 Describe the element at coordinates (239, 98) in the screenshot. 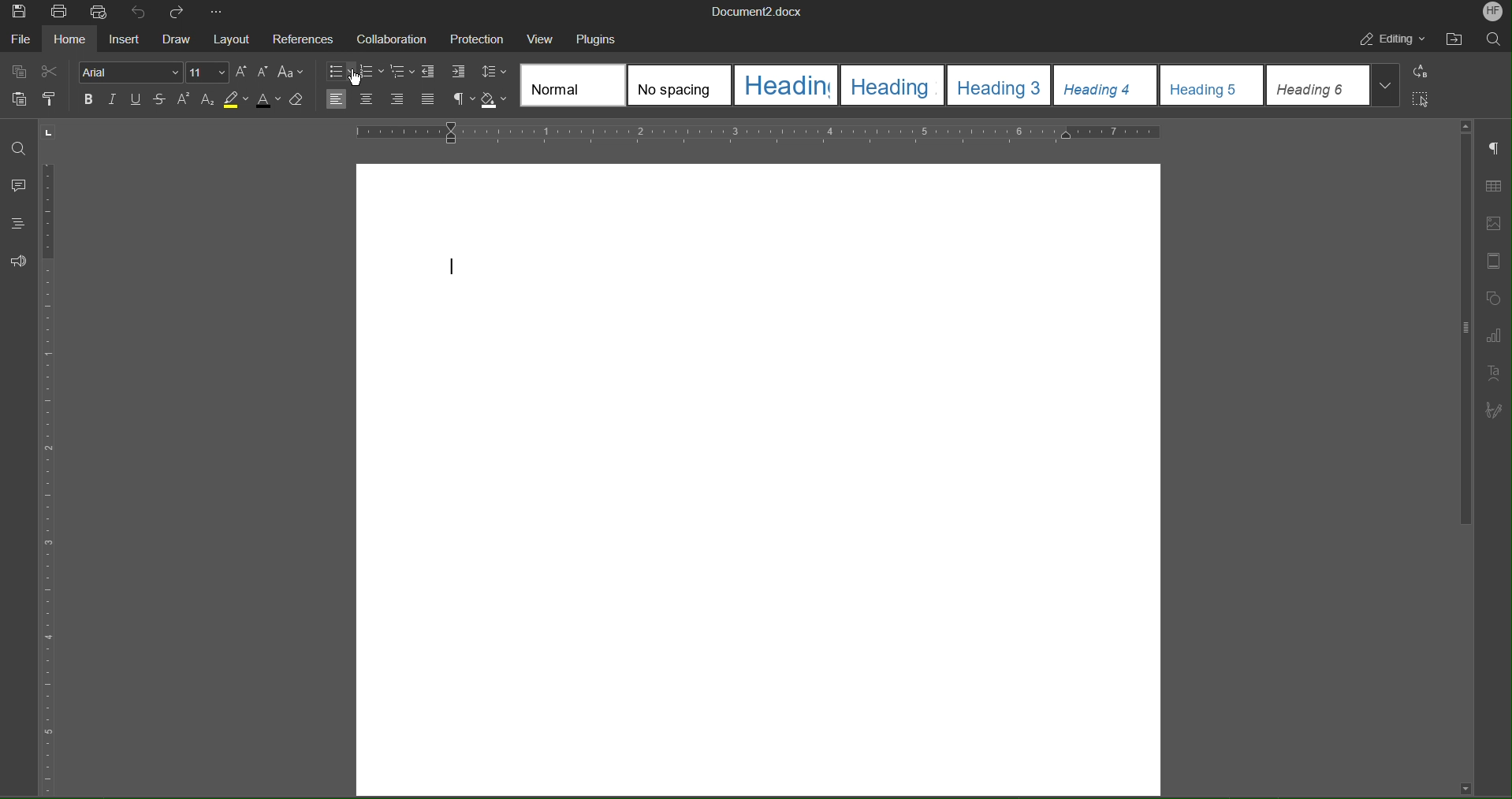

I see `Highlight` at that location.